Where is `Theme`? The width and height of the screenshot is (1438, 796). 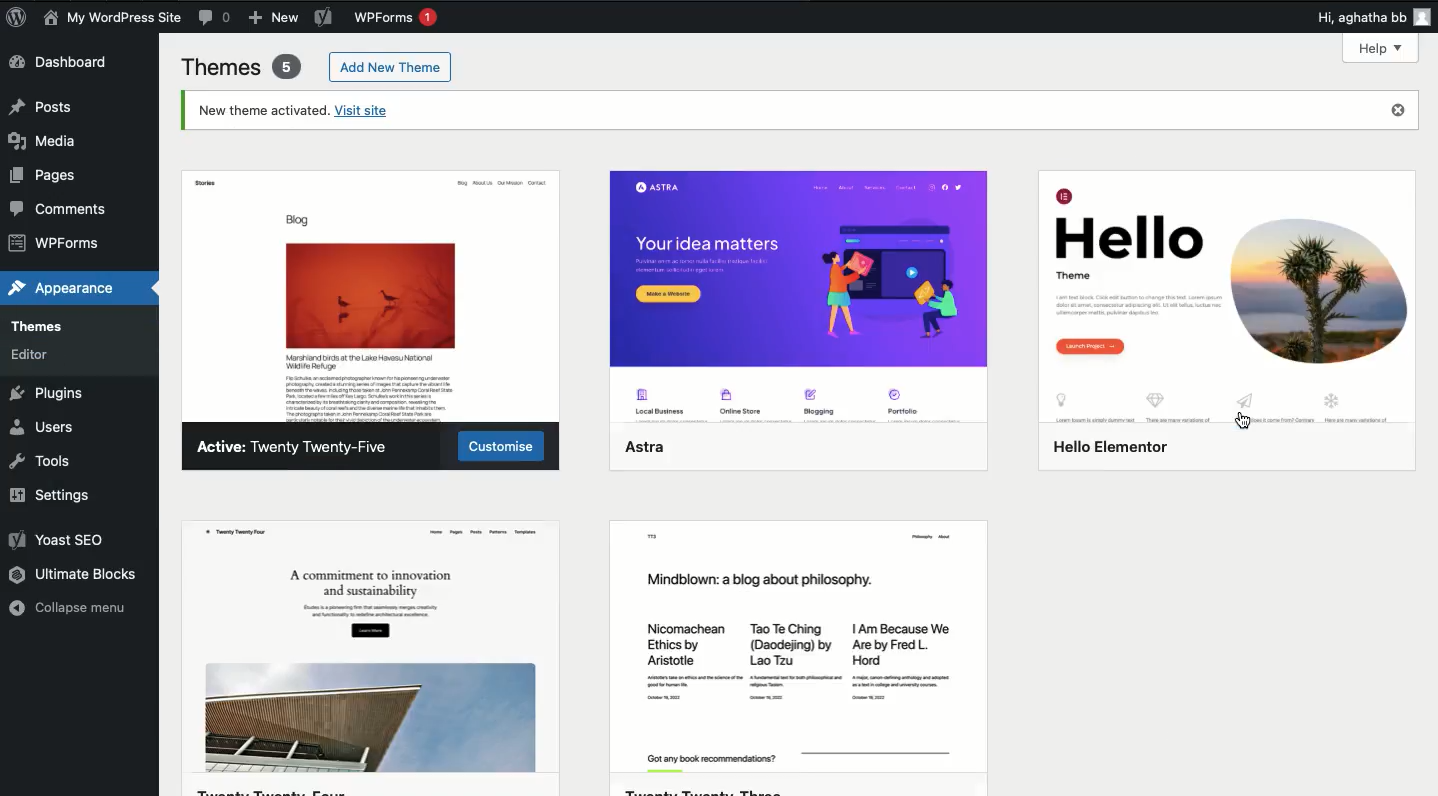 Theme is located at coordinates (801, 305).